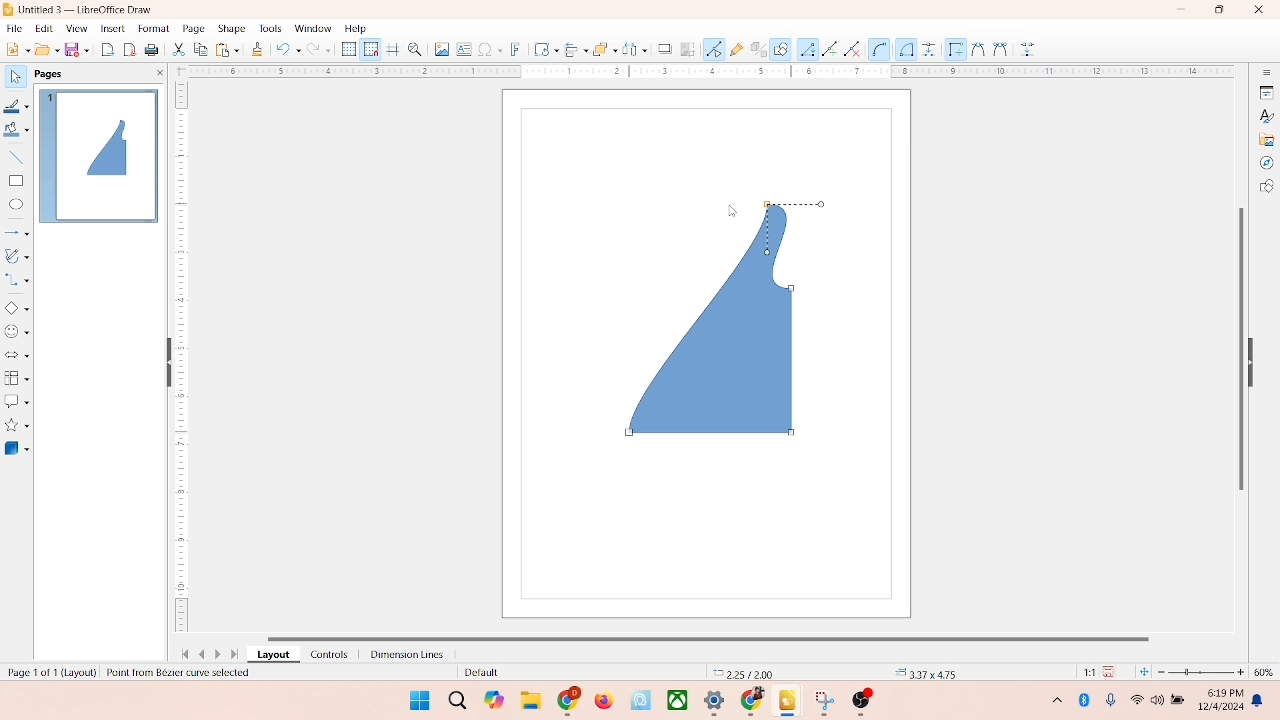 This screenshot has width=1280, height=720. Describe the element at coordinates (929, 49) in the screenshot. I see `Dimension line tool` at that location.